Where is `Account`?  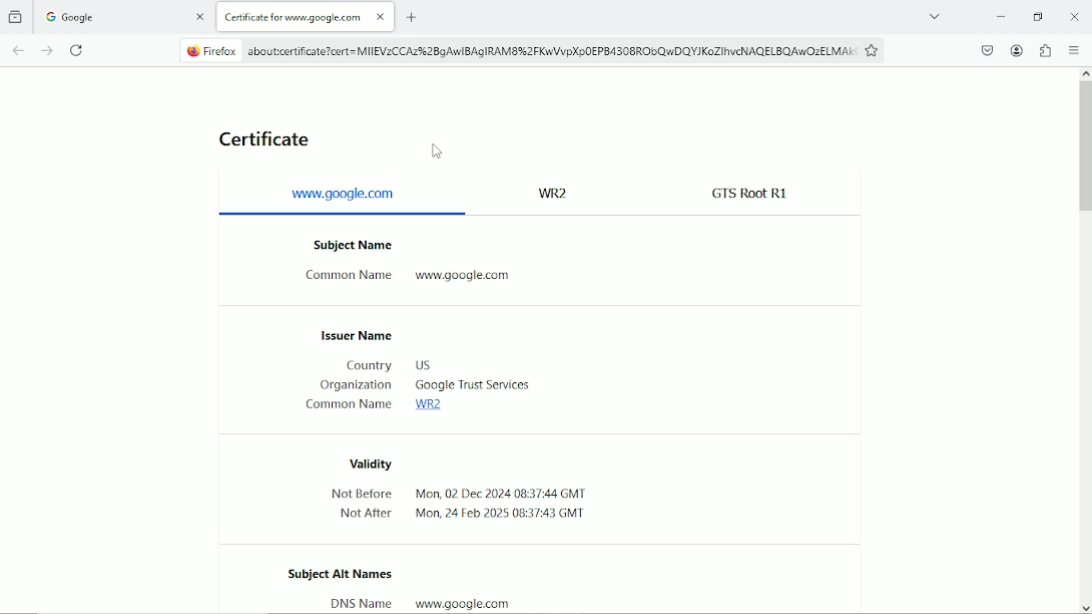 Account is located at coordinates (1017, 50).